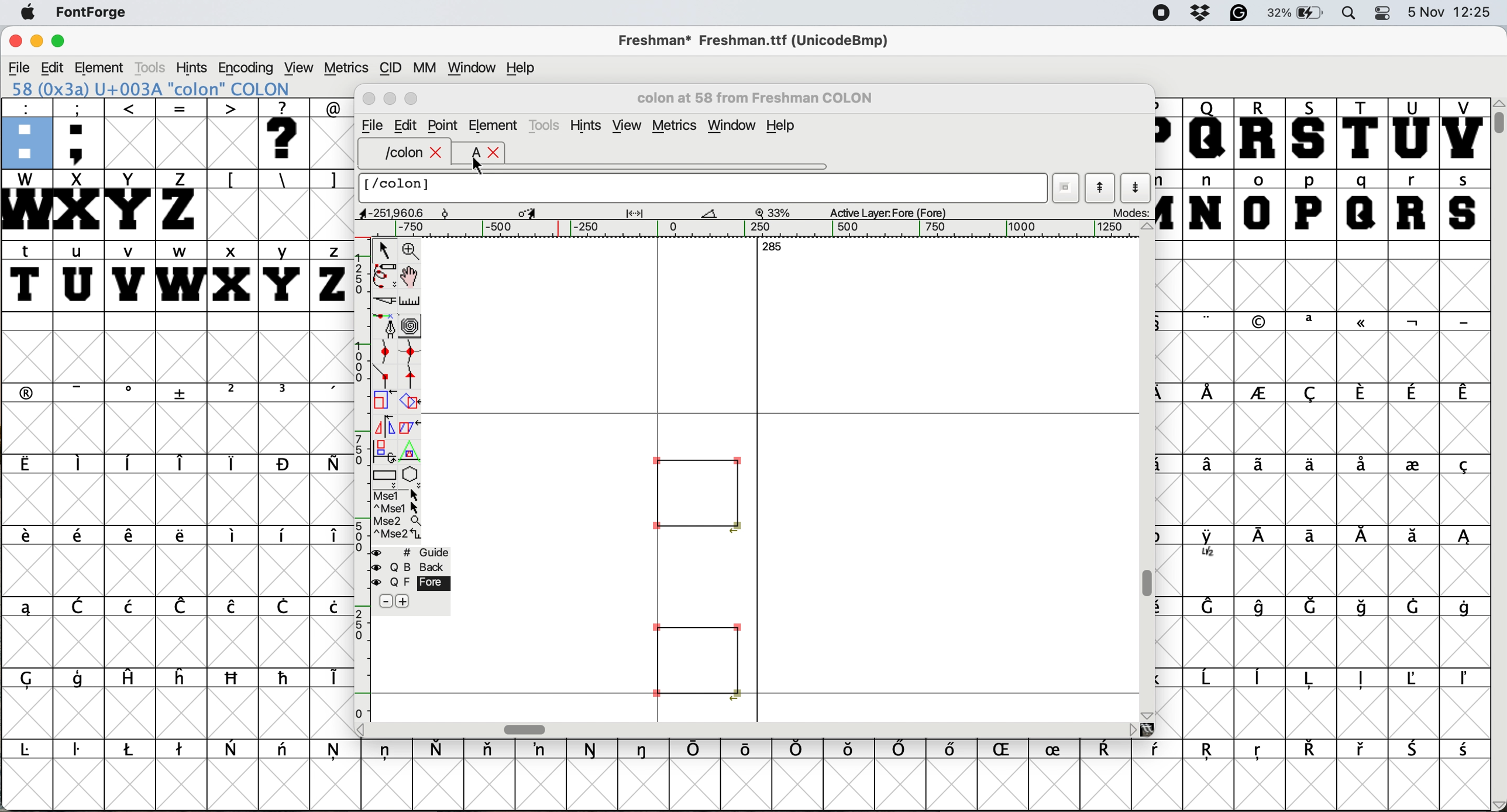  Describe the element at coordinates (1312, 393) in the screenshot. I see `symbol` at that location.